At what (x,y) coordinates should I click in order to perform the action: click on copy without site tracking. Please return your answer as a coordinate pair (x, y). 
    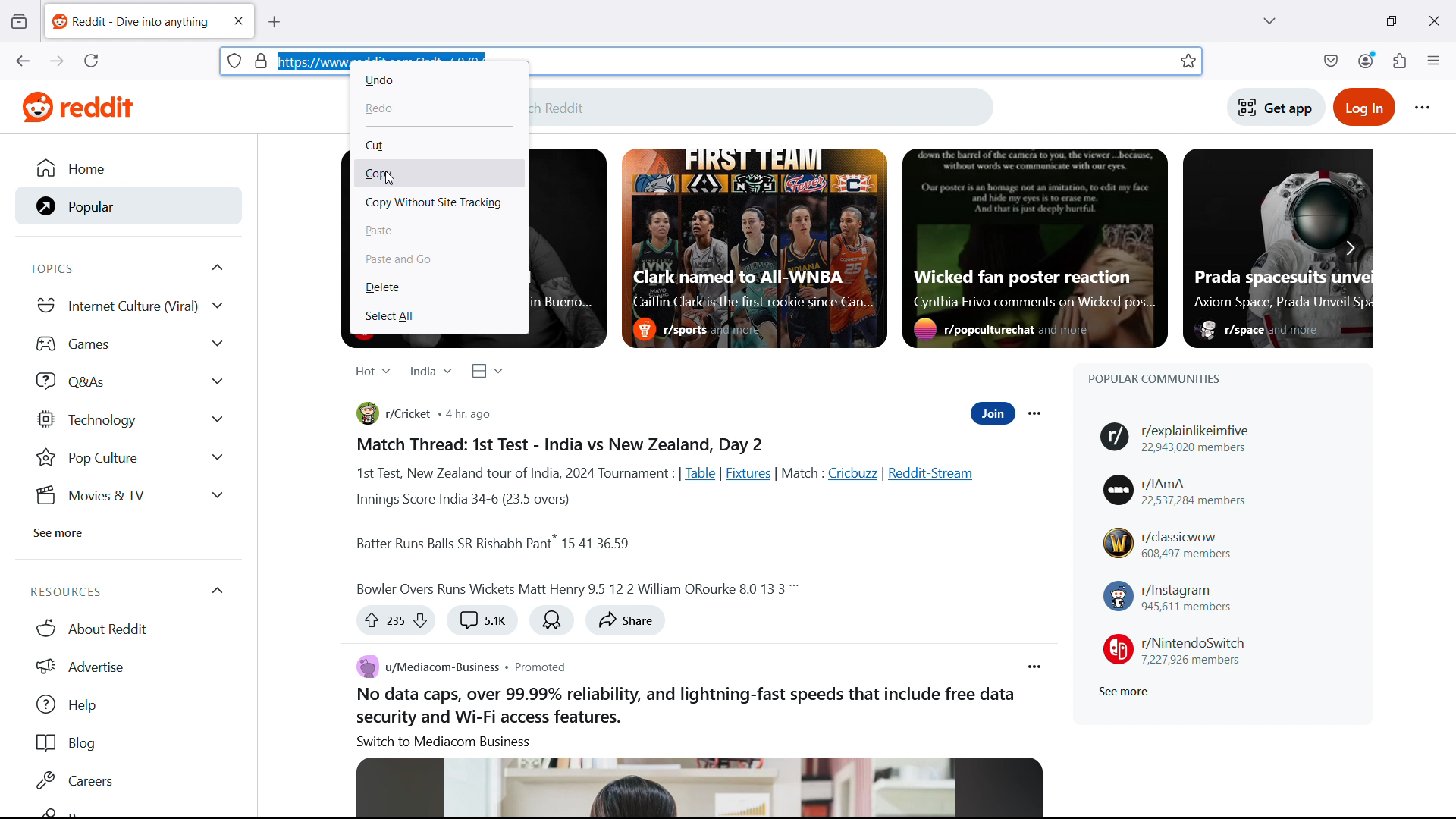
    Looking at the image, I should click on (439, 202).